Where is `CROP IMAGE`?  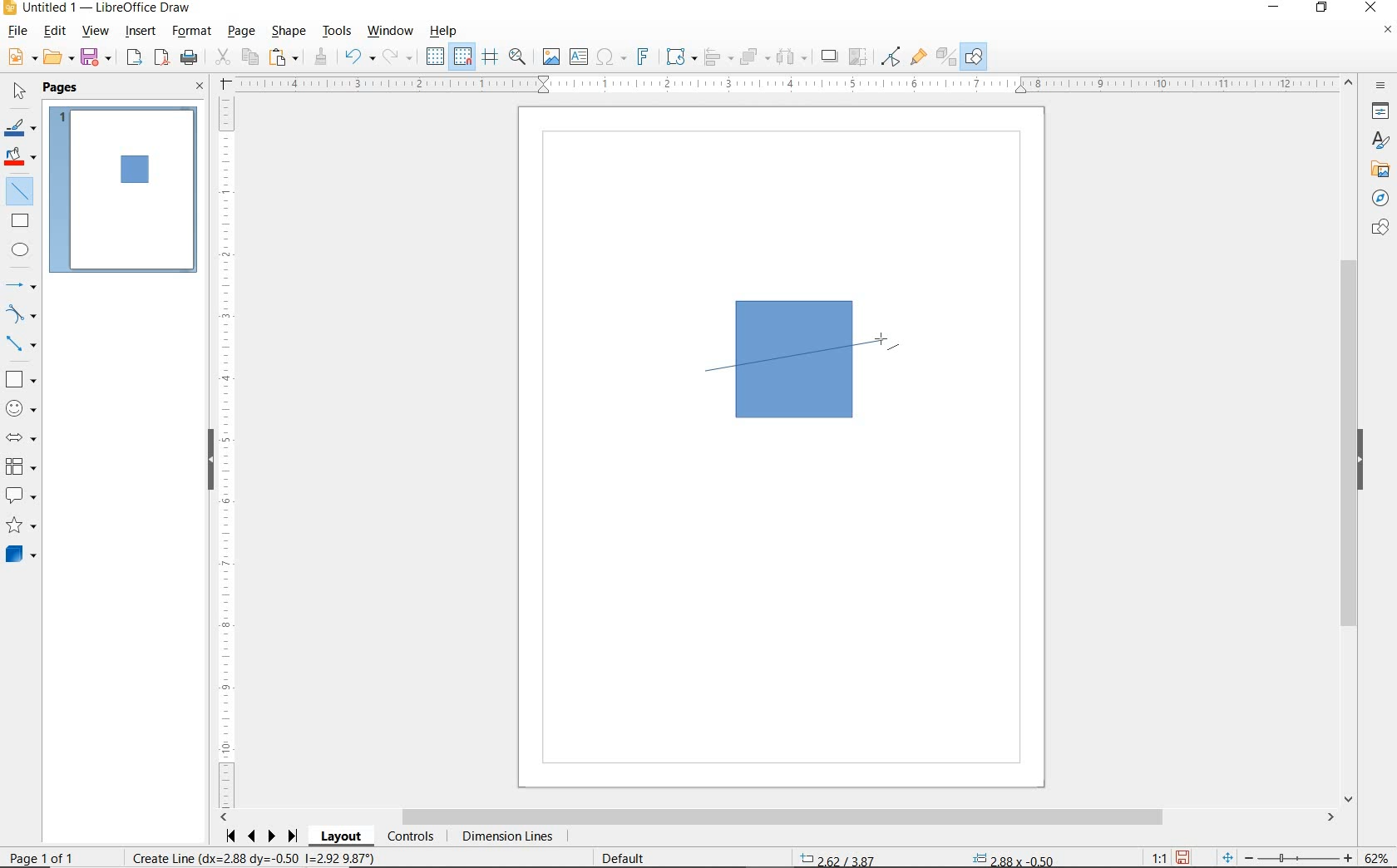 CROP IMAGE is located at coordinates (859, 57).